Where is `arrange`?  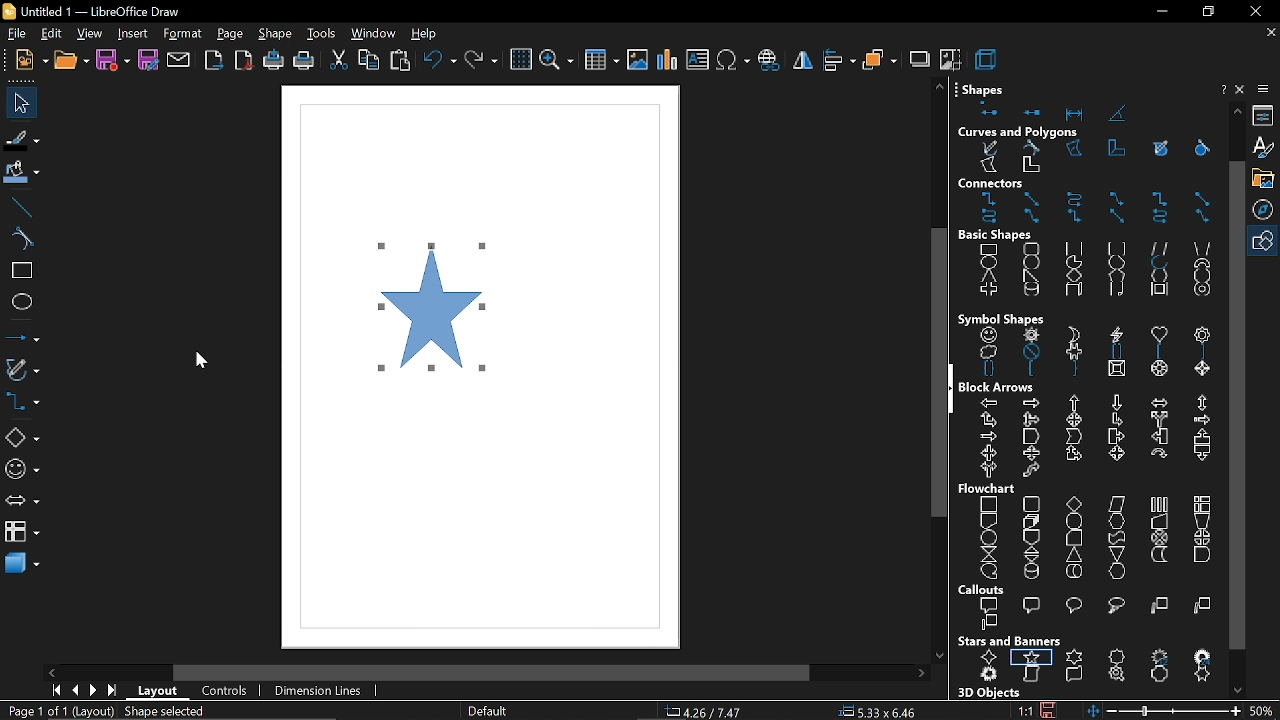 arrange is located at coordinates (880, 61).